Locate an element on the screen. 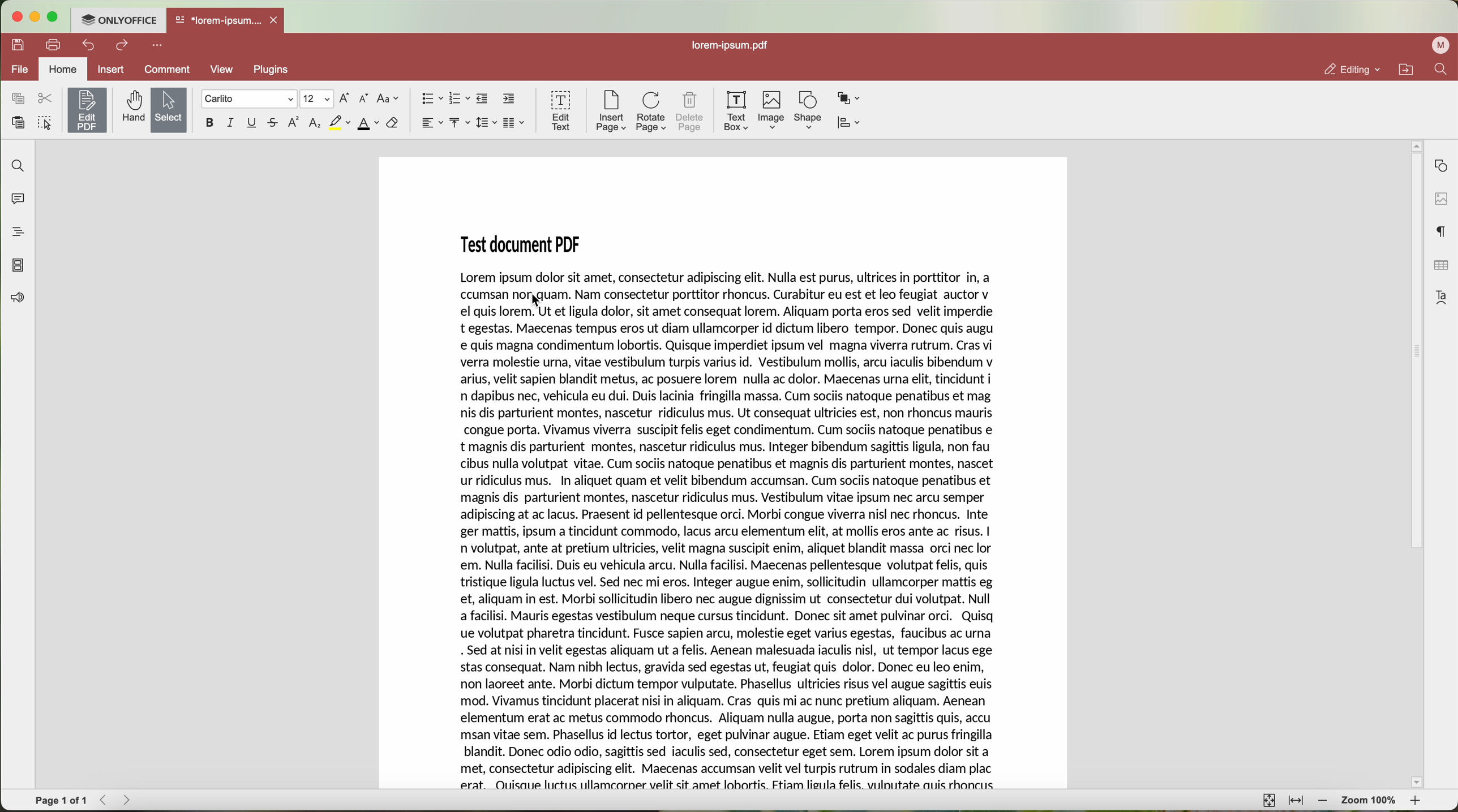 This screenshot has width=1458, height=812. more is located at coordinates (157, 46).